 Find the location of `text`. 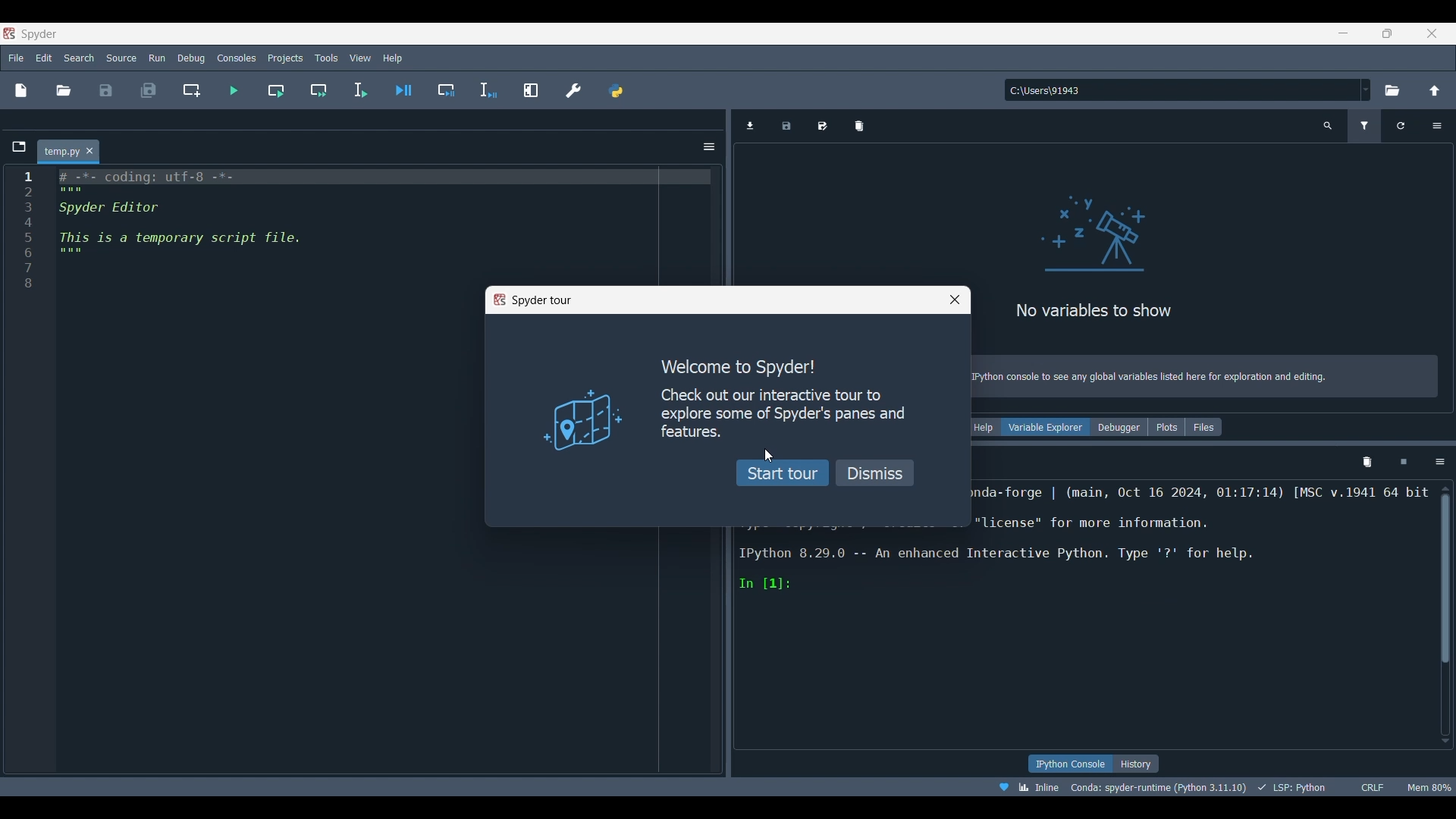

text is located at coordinates (778, 419).